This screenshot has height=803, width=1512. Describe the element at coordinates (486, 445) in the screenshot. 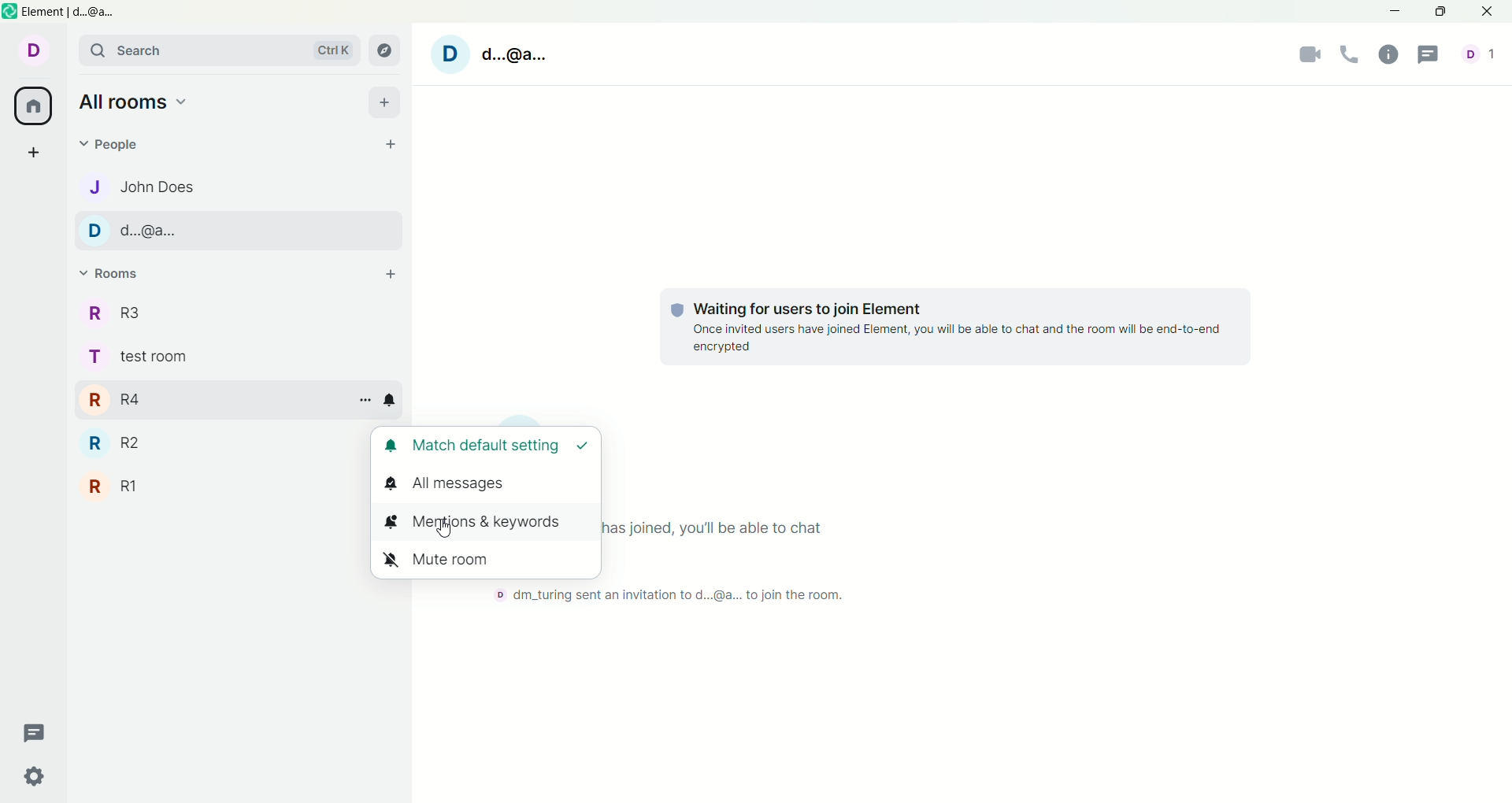

I see `match default settings` at that location.